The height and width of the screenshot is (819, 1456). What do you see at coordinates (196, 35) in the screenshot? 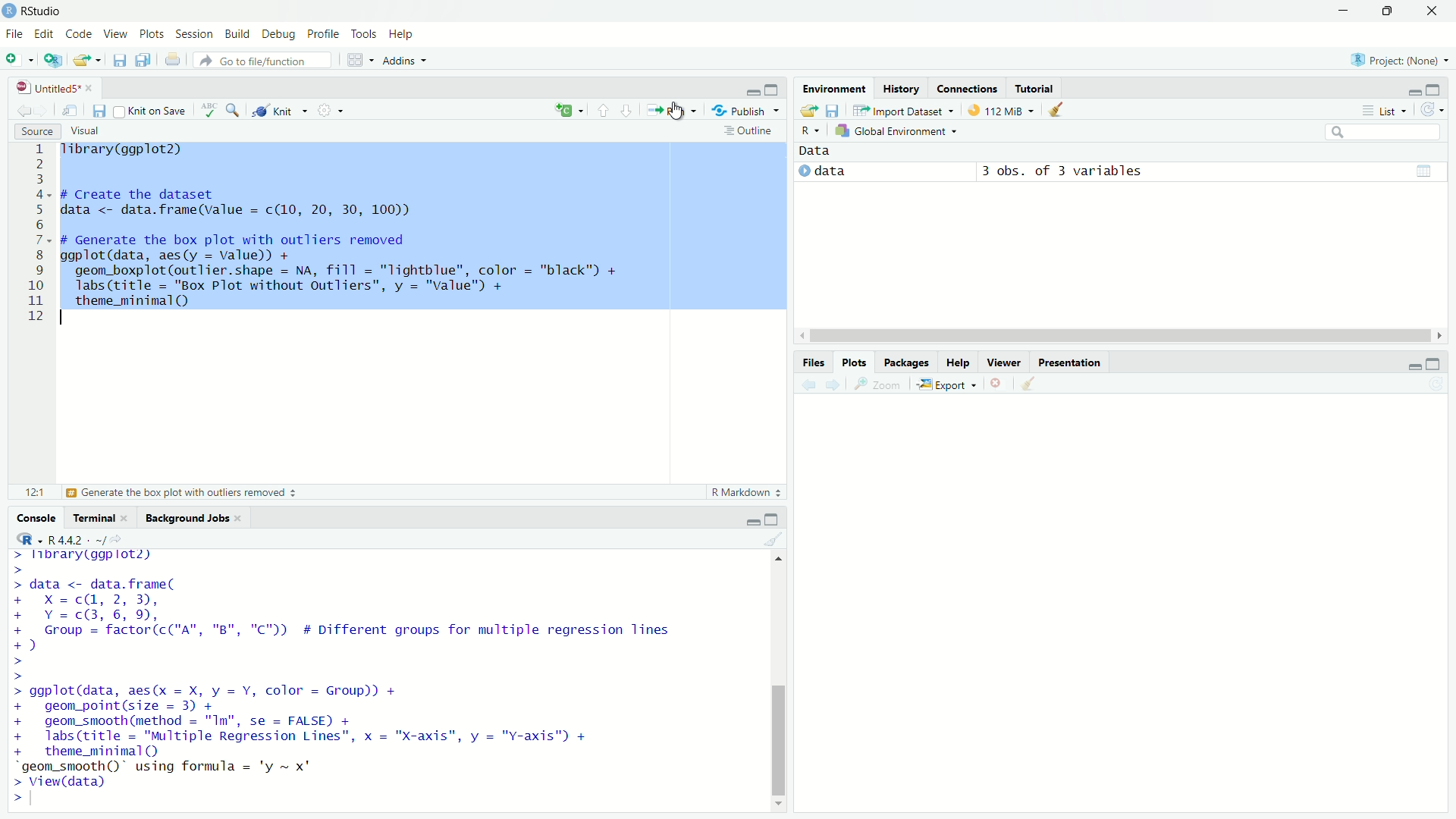
I see `Session` at bounding box center [196, 35].